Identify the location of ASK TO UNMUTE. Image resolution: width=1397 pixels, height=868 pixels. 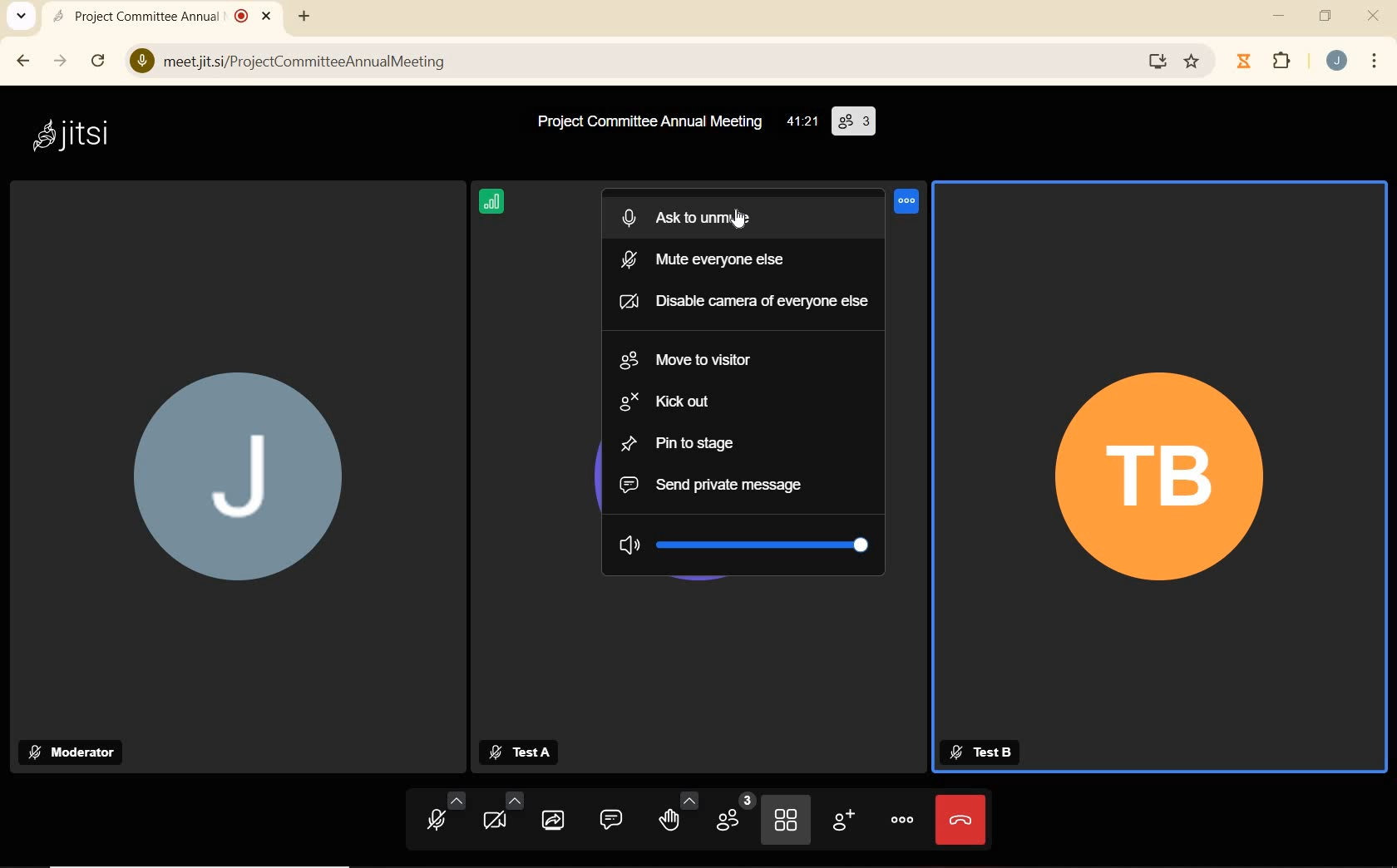
(709, 214).